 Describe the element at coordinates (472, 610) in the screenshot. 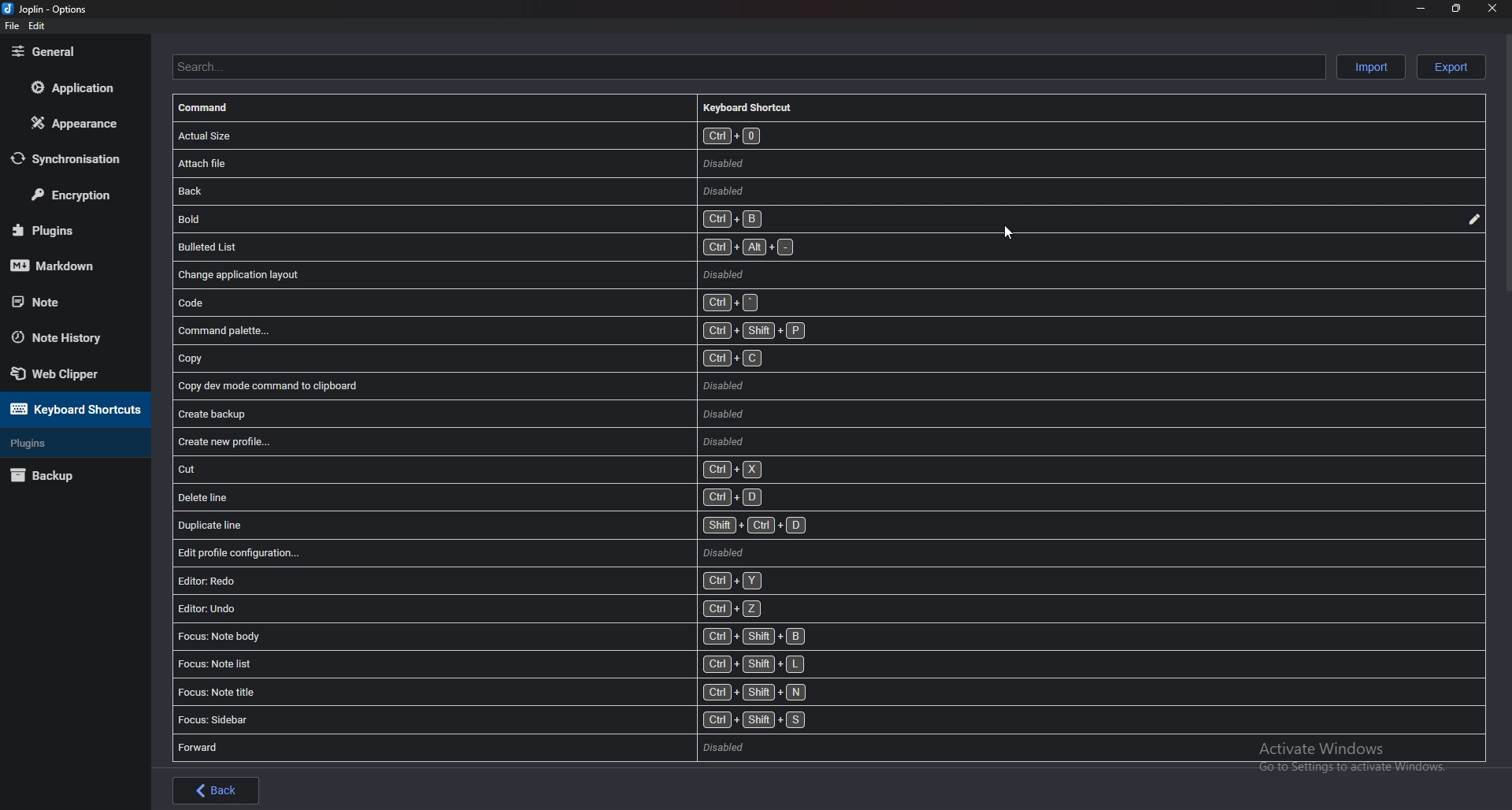

I see `Editor undo` at that location.